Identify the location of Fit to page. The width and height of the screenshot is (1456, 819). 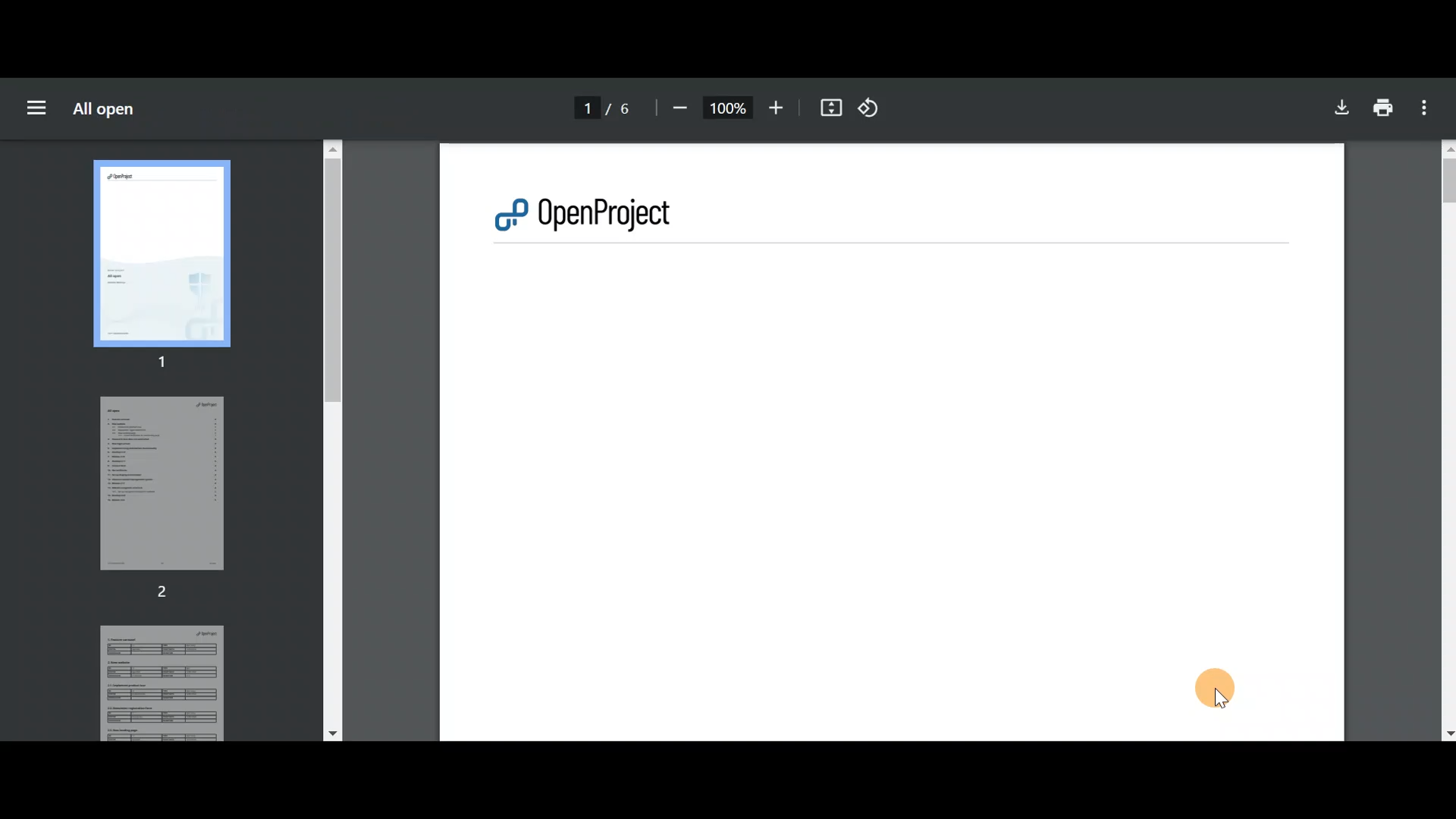
(836, 108).